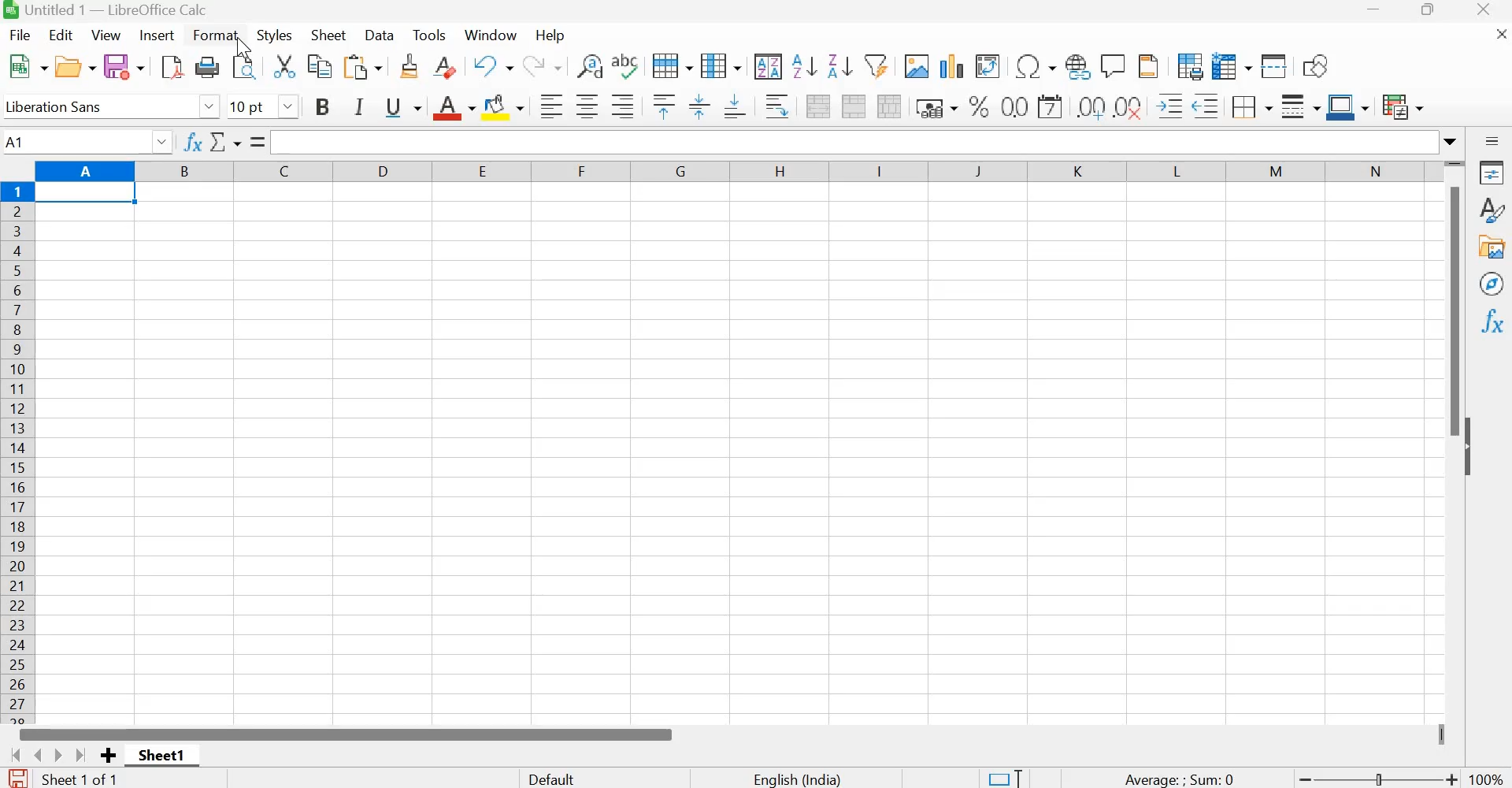  I want to click on Merge cells, so click(854, 106).